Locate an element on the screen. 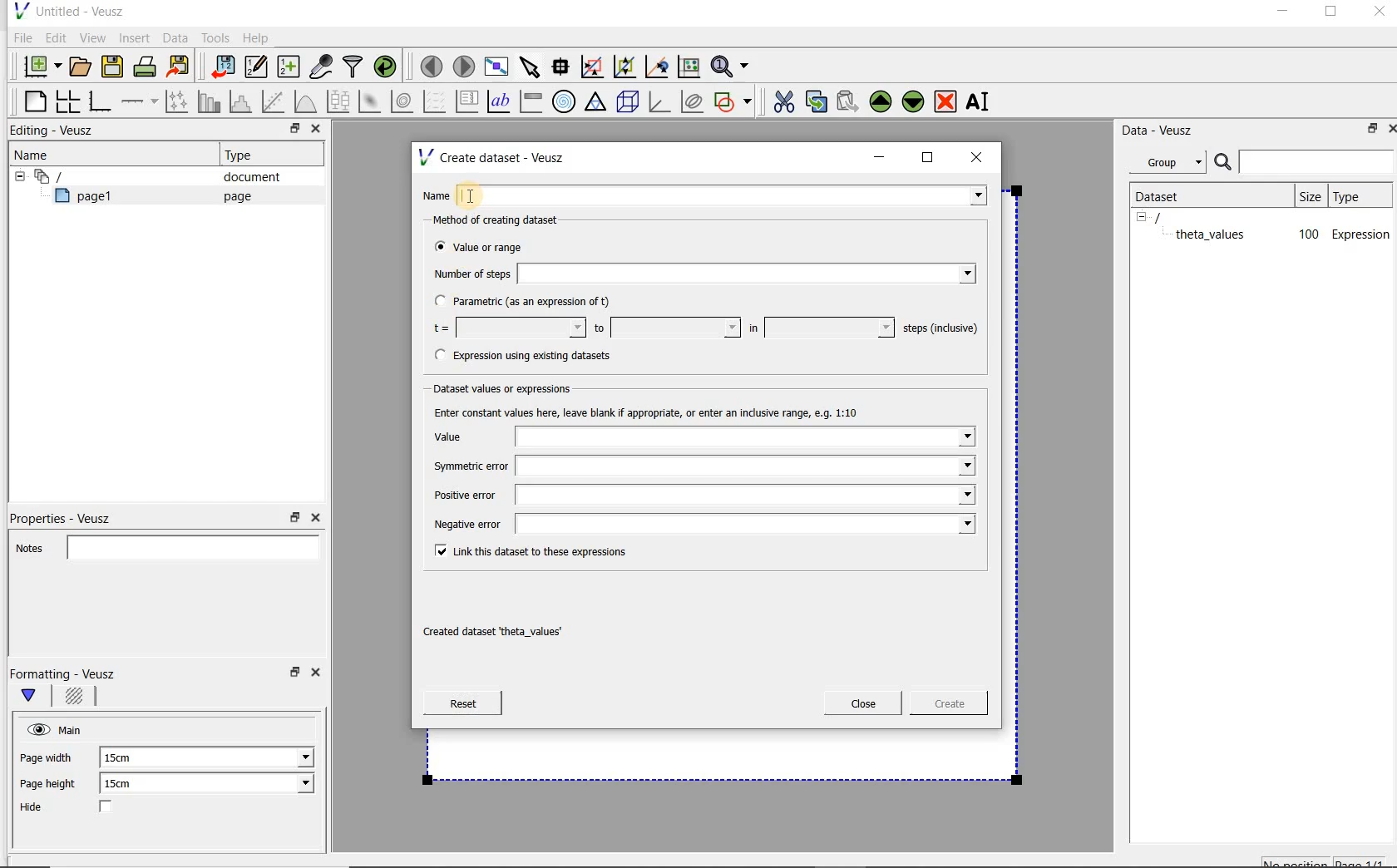  Page height is located at coordinates (53, 786).